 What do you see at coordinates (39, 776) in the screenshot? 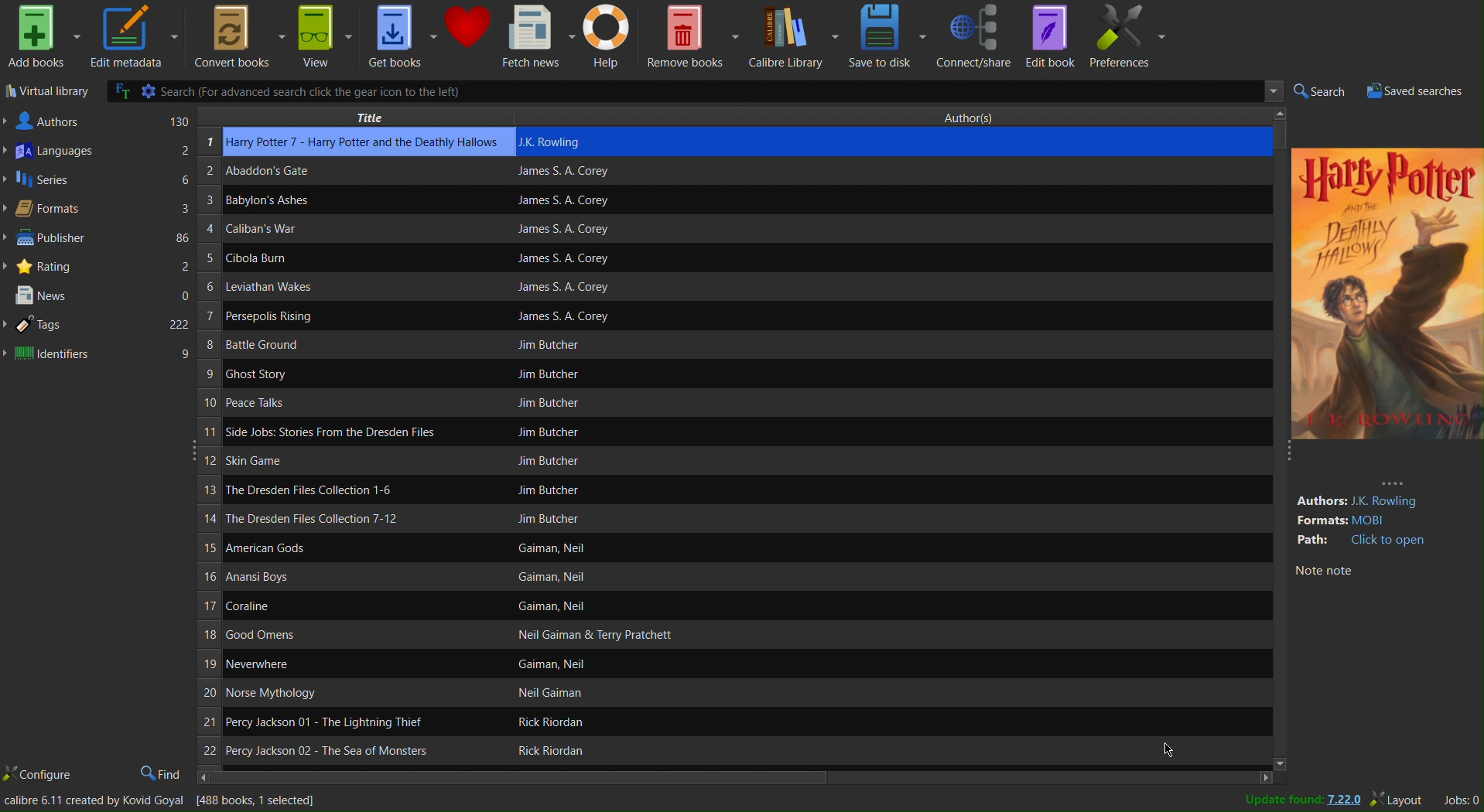
I see `Configure` at bounding box center [39, 776].